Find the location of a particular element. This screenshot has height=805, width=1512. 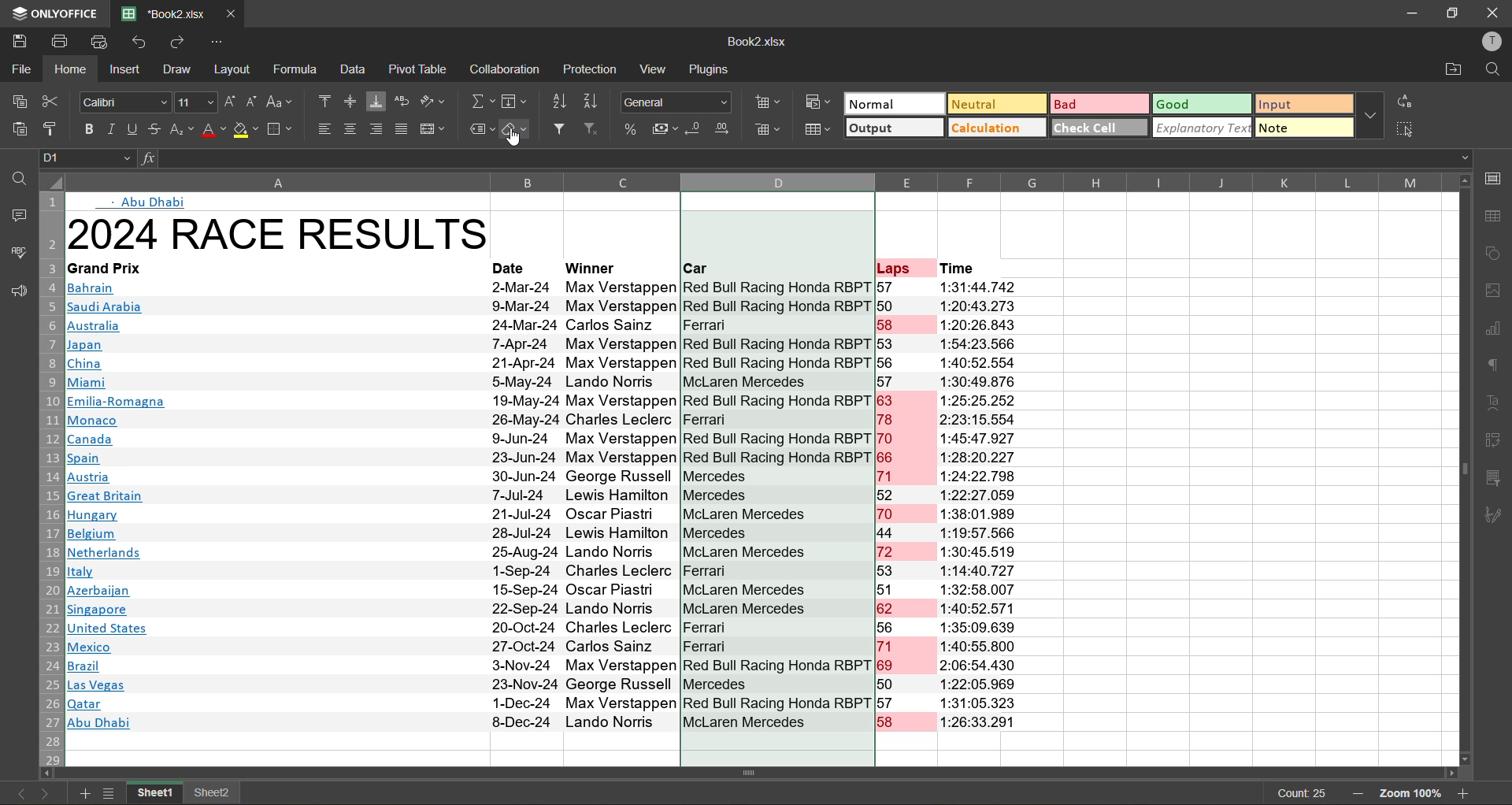

next is located at coordinates (43, 794).